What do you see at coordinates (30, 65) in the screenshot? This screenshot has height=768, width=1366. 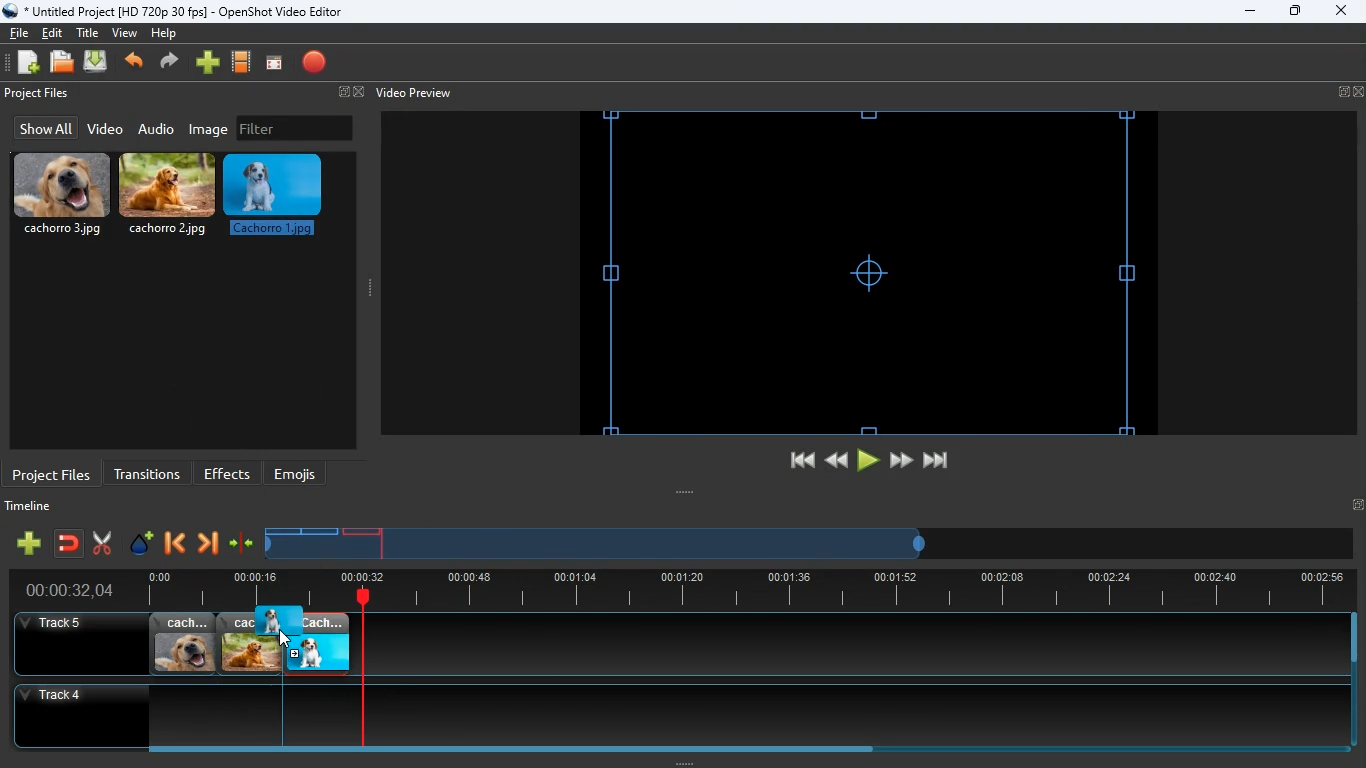 I see `add files` at bounding box center [30, 65].